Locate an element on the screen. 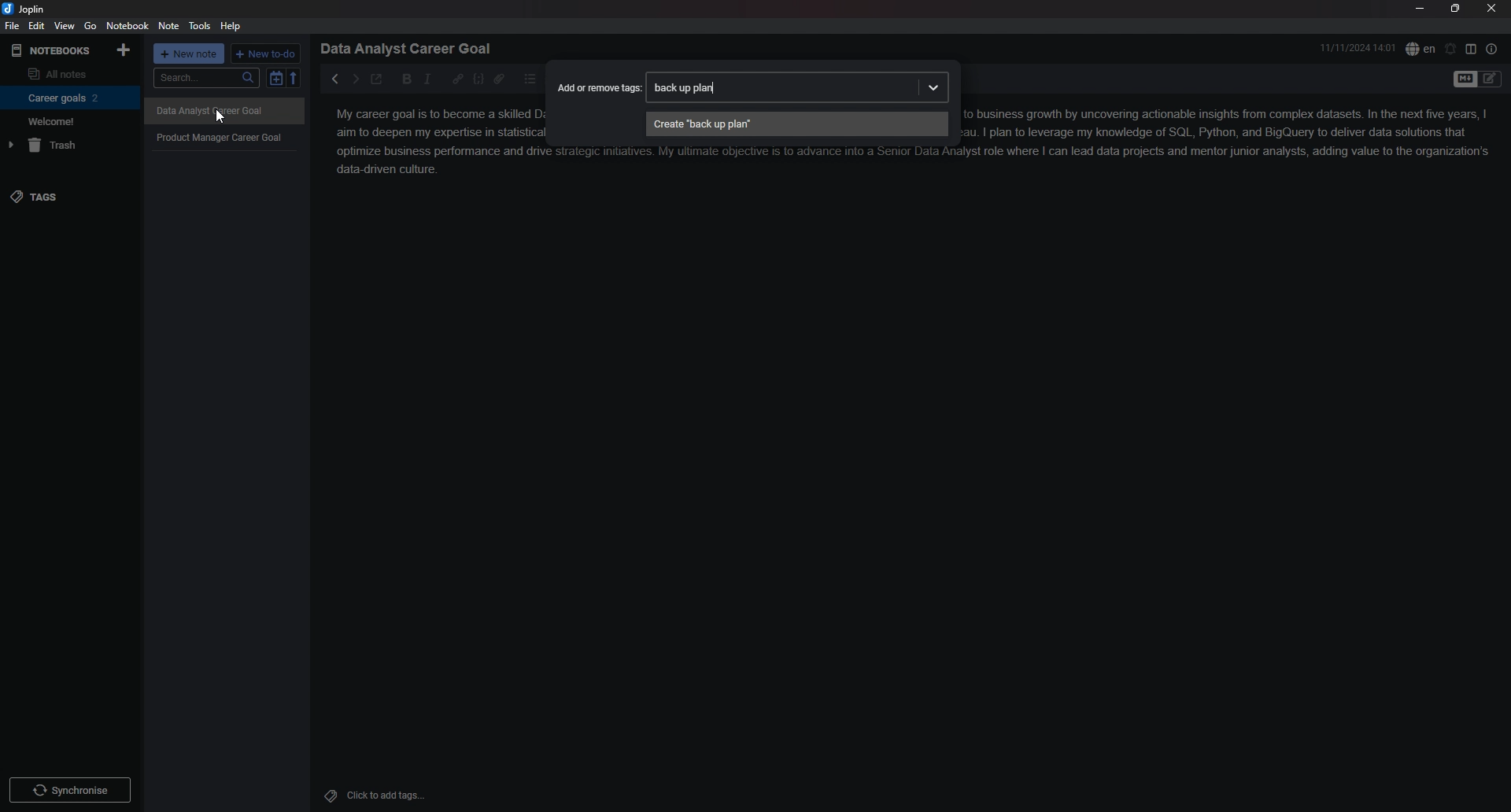 This screenshot has height=812, width=1511. attachment is located at coordinates (499, 79).